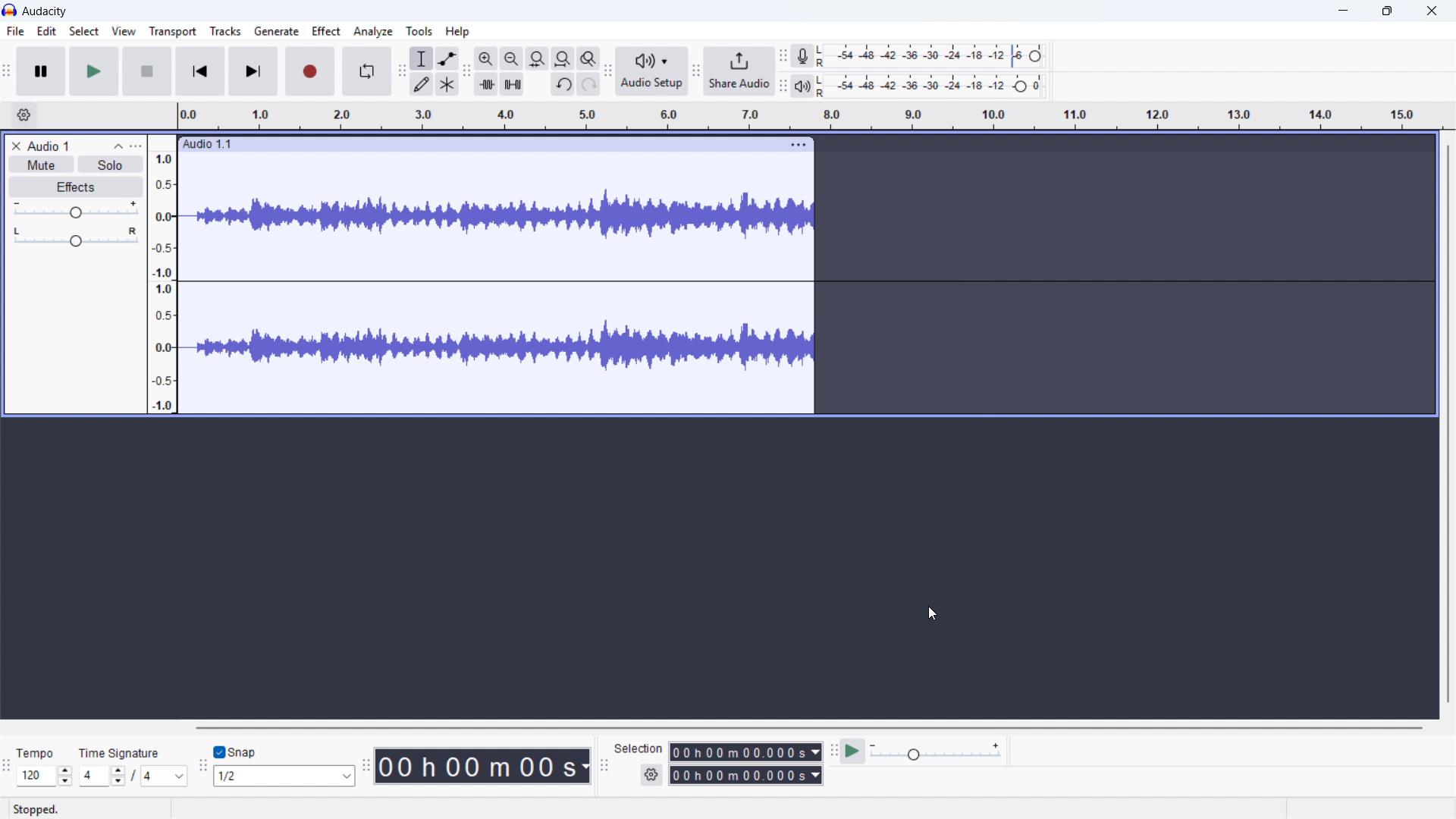  What do you see at coordinates (935, 86) in the screenshot?
I see `playback level ` at bounding box center [935, 86].